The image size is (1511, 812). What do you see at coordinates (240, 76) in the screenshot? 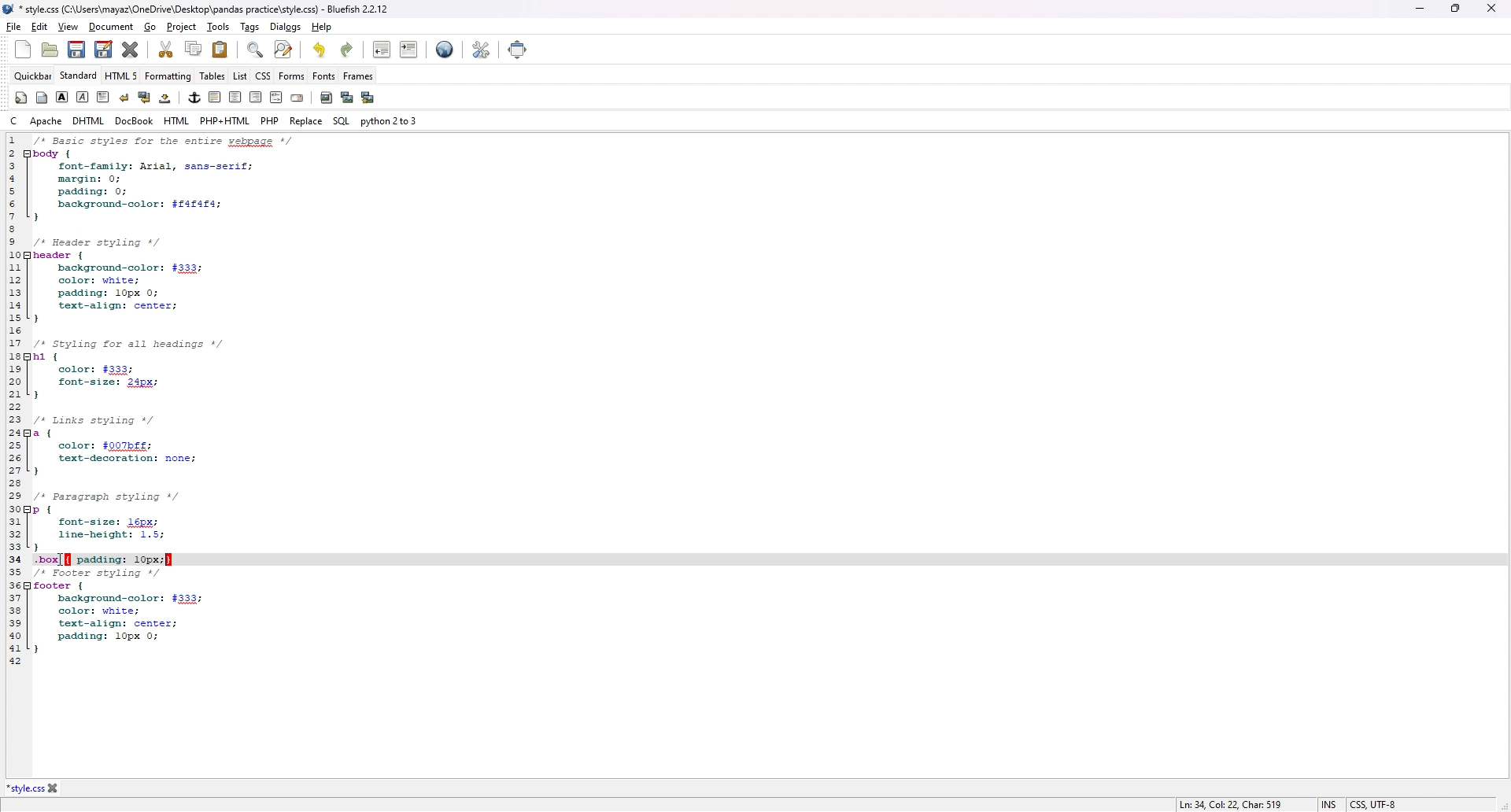
I see `list` at bounding box center [240, 76].